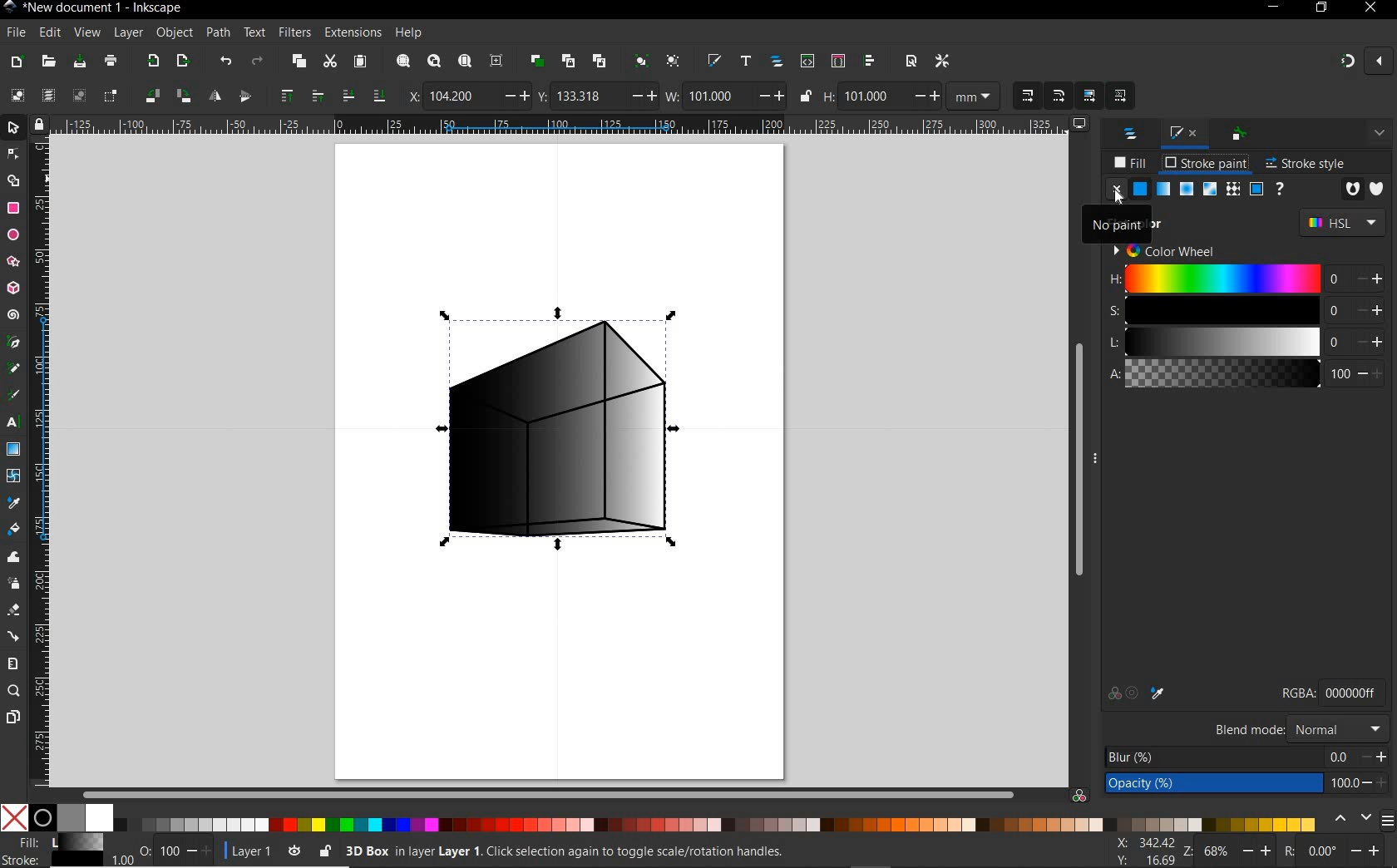 The width and height of the screenshot is (1397, 868). What do you see at coordinates (151, 95) in the screenshot?
I see `OBJECT ROTATE` at bounding box center [151, 95].